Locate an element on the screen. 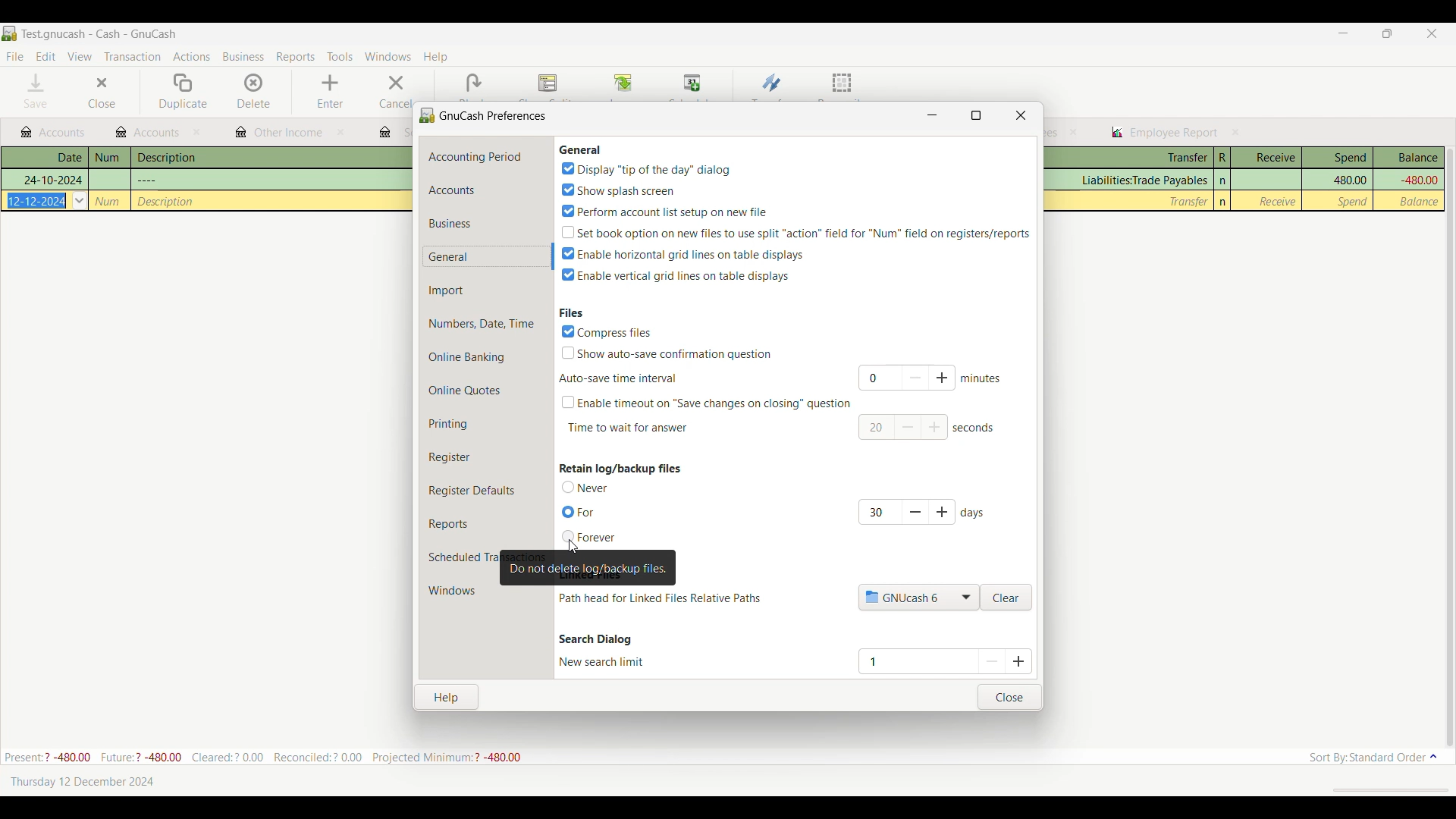 Image resolution: width=1456 pixels, height=819 pixels. Show splits is located at coordinates (548, 84).